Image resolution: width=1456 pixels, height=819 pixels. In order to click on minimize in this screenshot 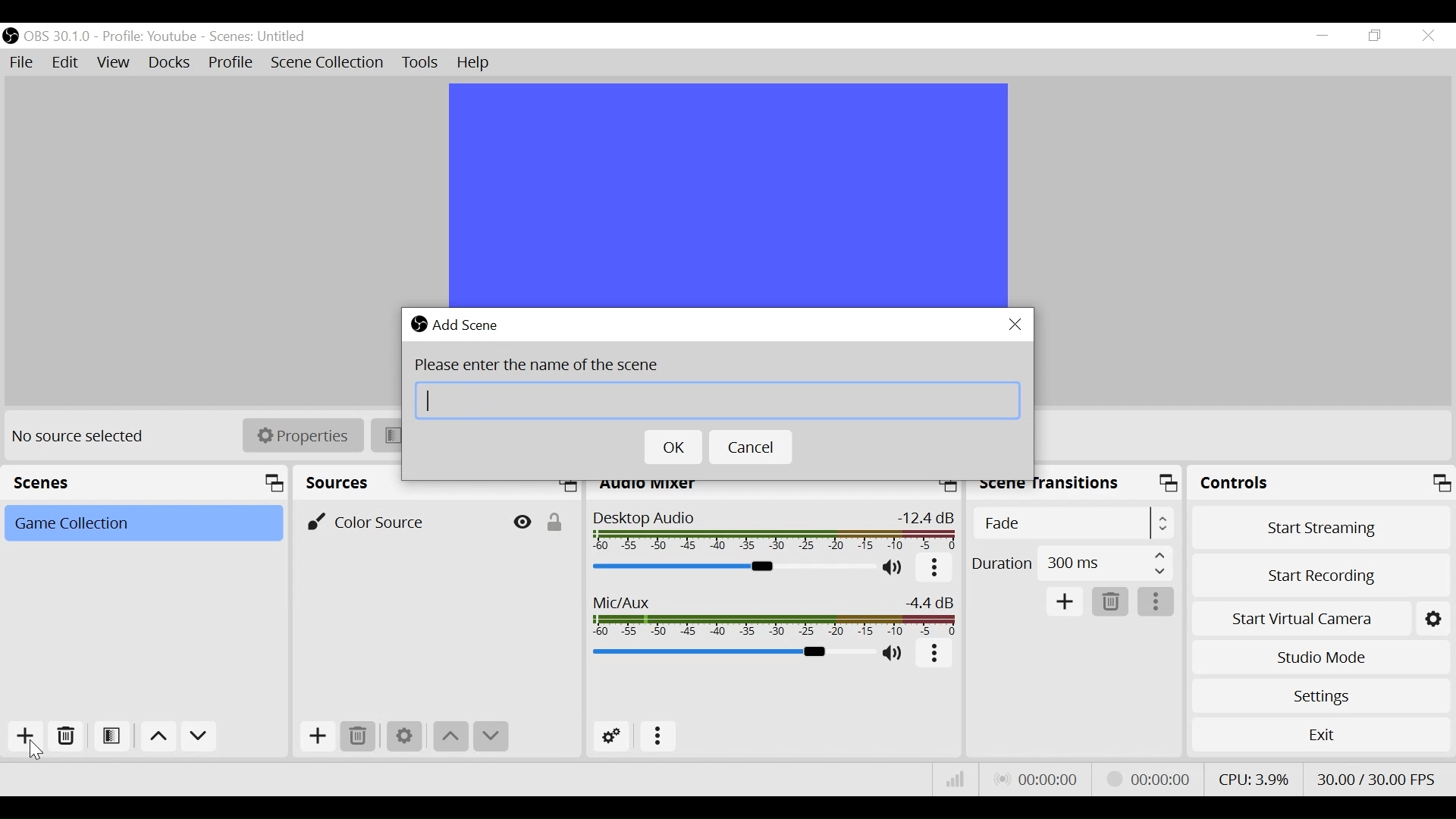, I will do `click(1322, 36)`.